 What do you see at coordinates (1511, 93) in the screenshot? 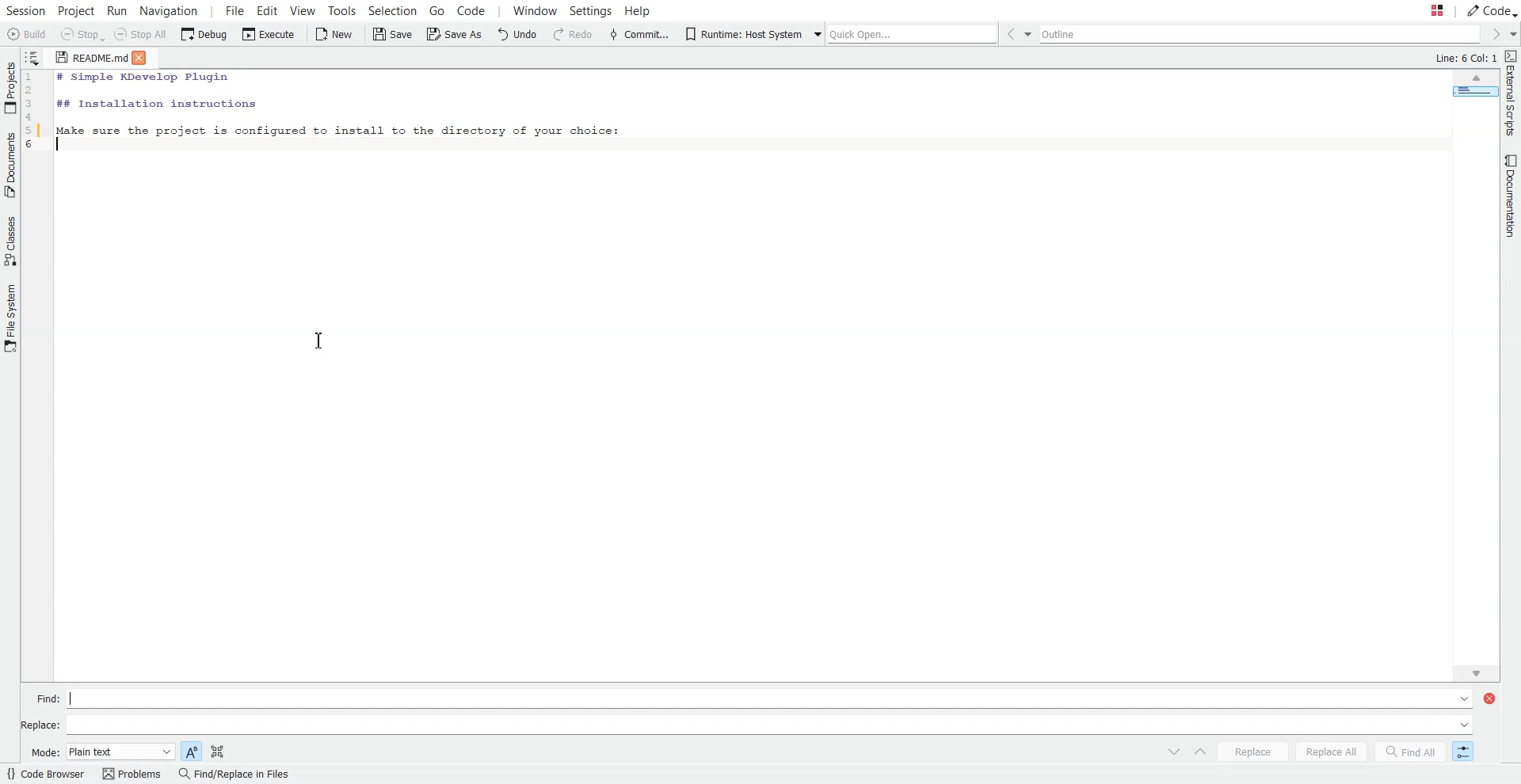
I see `External Scripts` at bounding box center [1511, 93].